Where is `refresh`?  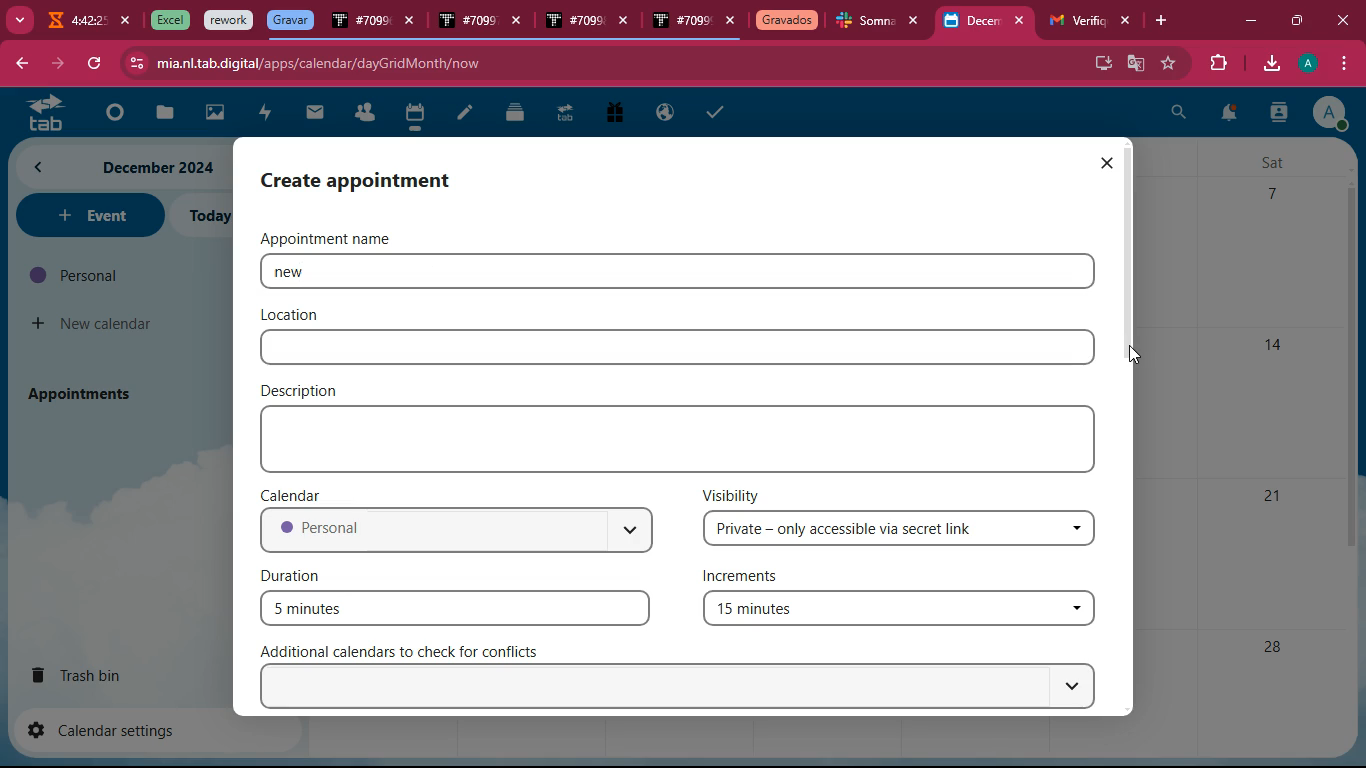
refresh is located at coordinates (94, 64).